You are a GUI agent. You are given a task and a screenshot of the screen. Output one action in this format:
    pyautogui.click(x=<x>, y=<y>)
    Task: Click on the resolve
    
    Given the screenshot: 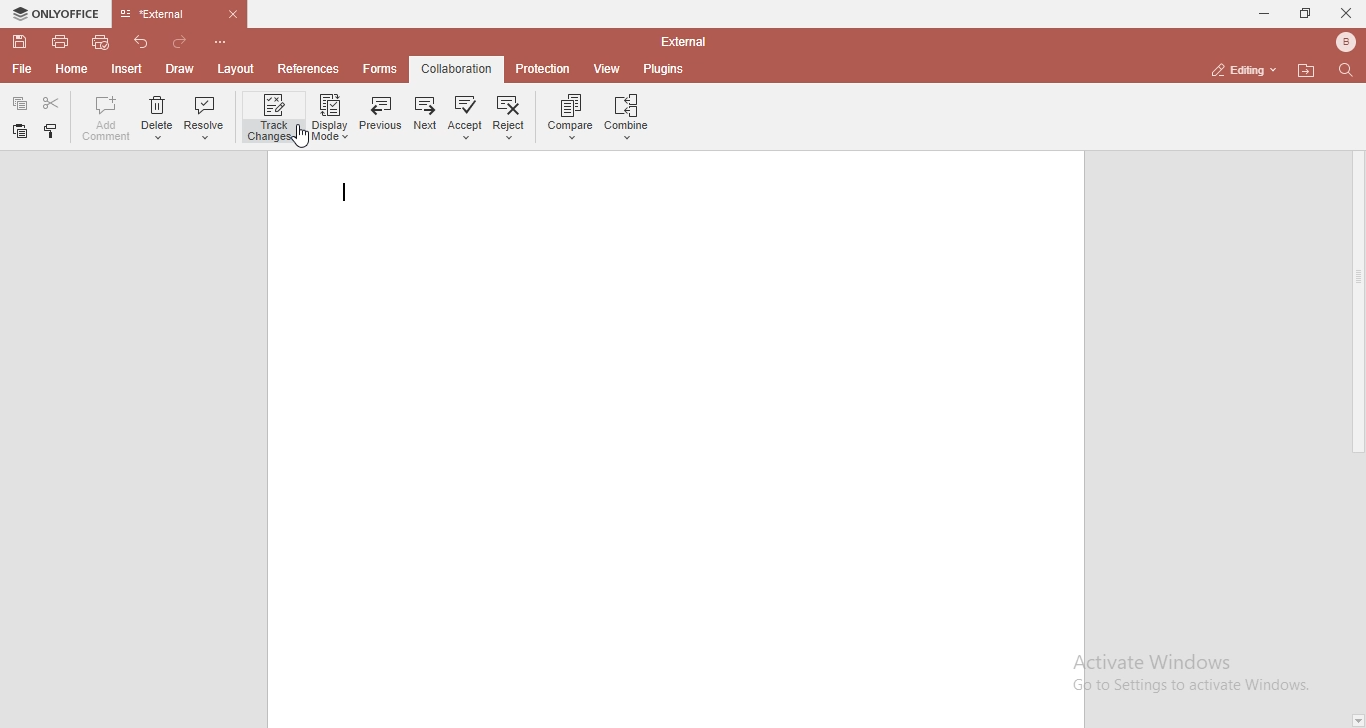 What is the action you would take?
    pyautogui.click(x=205, y=121)
    